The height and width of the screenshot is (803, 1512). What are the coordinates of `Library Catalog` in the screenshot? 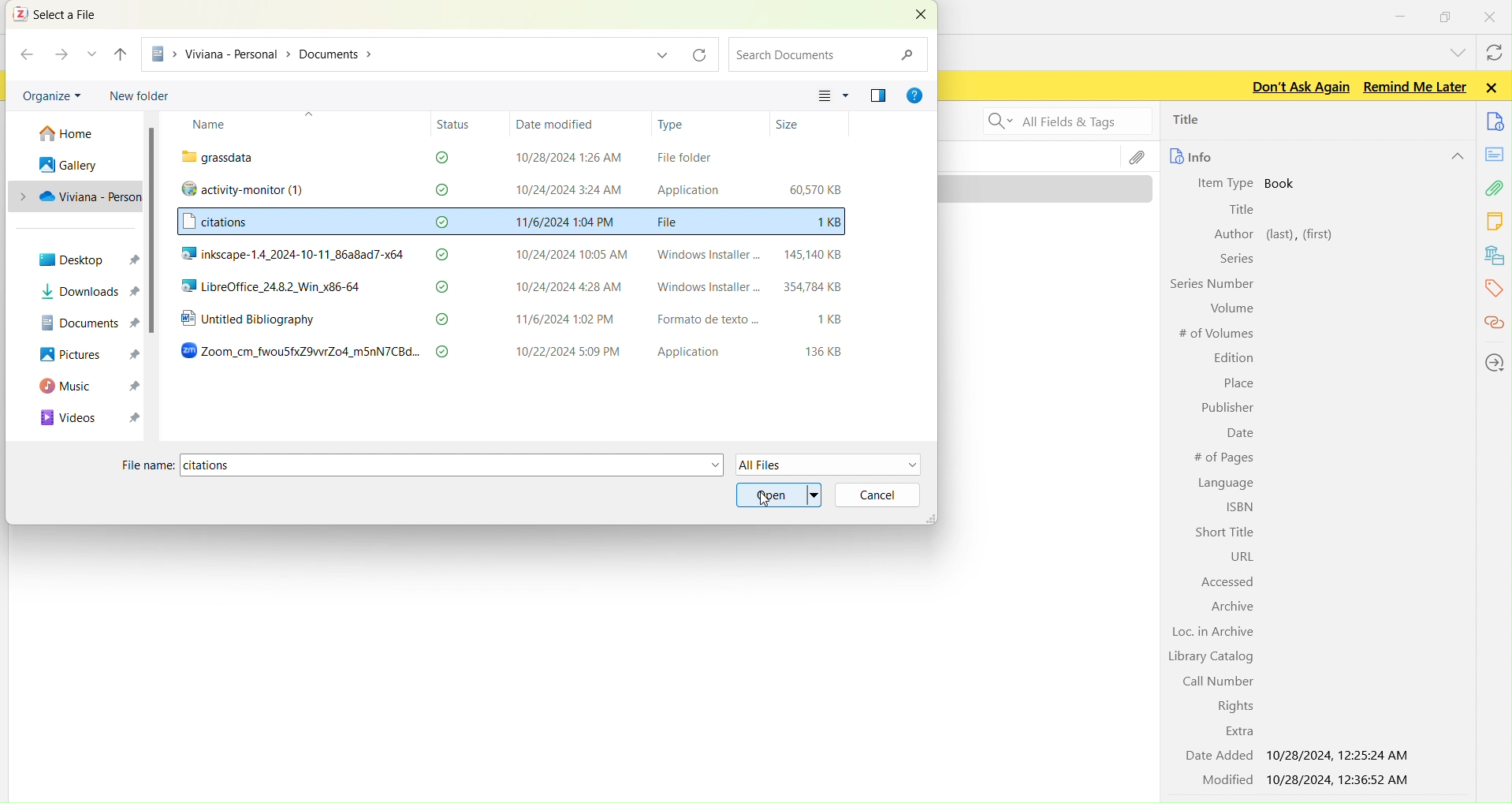 It's located at (1208, 657).